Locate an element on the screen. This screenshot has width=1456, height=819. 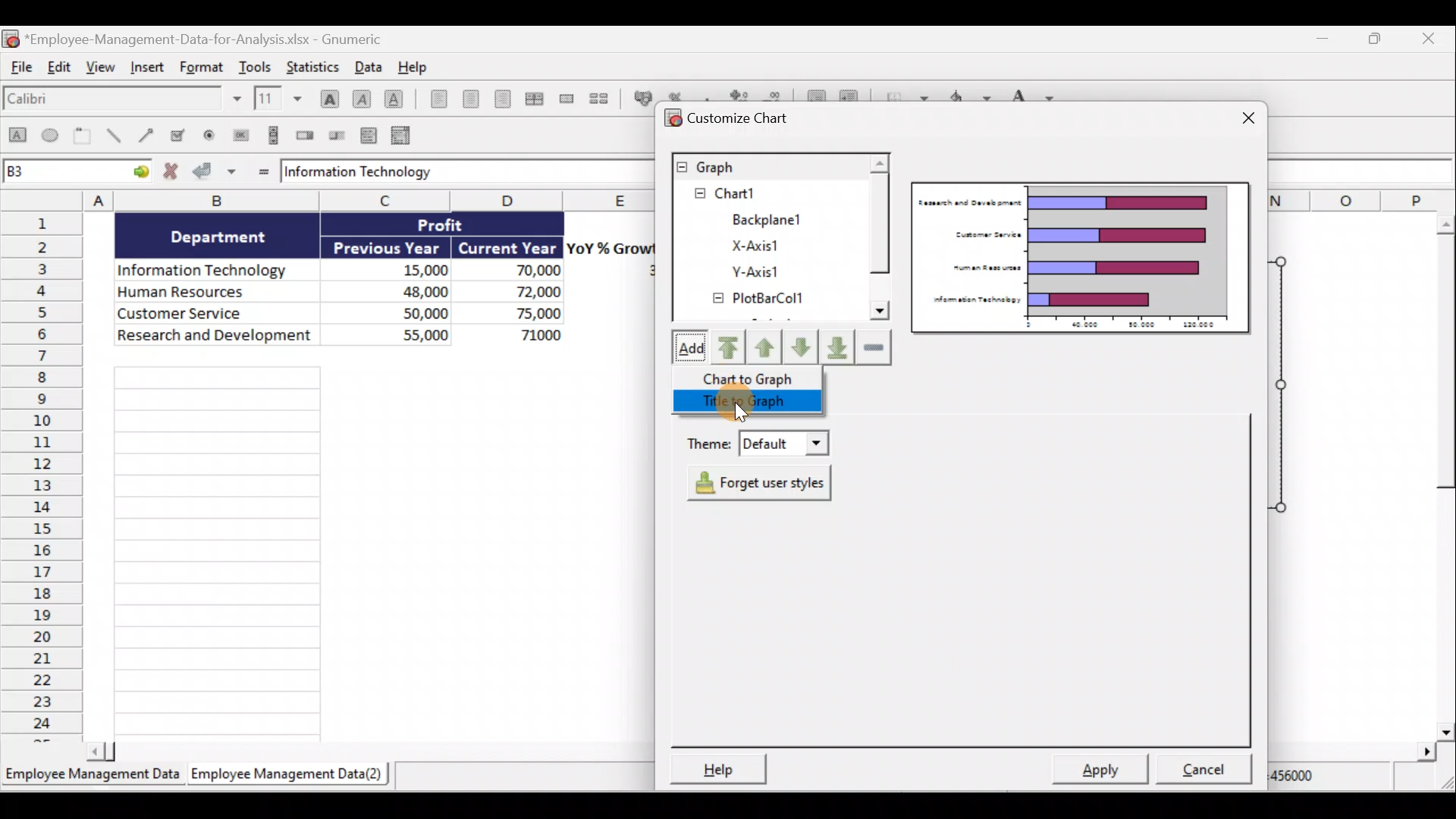
Cells is located at coordinates (375, 550).